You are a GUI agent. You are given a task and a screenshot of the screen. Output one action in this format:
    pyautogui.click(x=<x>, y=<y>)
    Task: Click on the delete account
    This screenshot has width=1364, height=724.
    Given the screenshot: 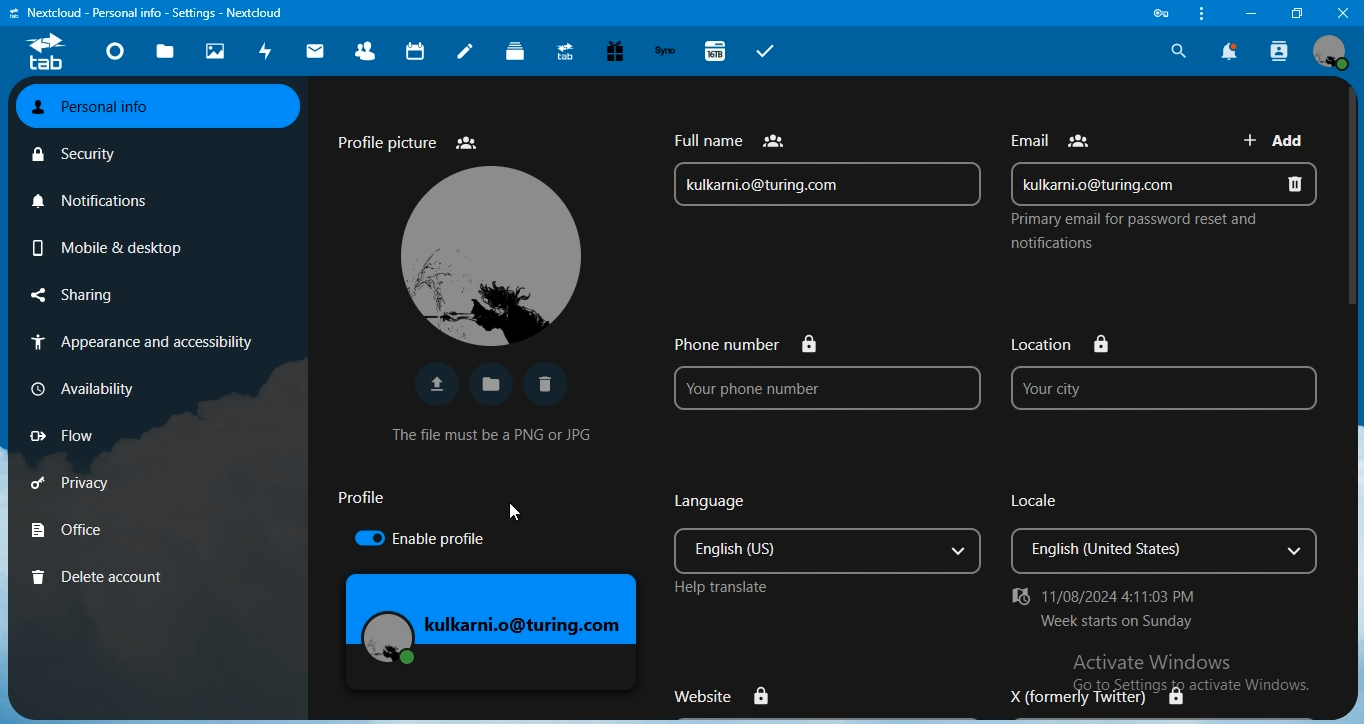 What is the action you would take?
    pyautogui.click(x=103, y=575)
    